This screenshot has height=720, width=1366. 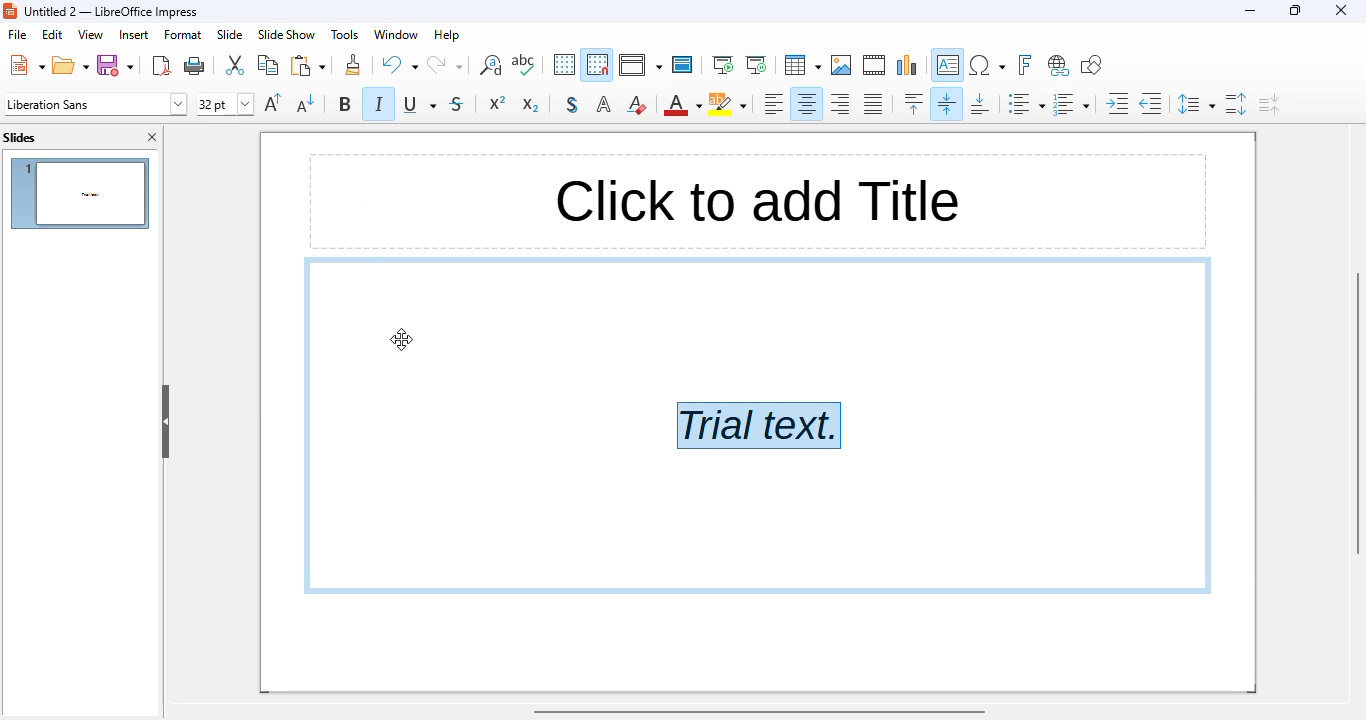 What do you see at coordinates (195, 66) in the screenshot?
I see `Print` at bounding box center [195, 66].